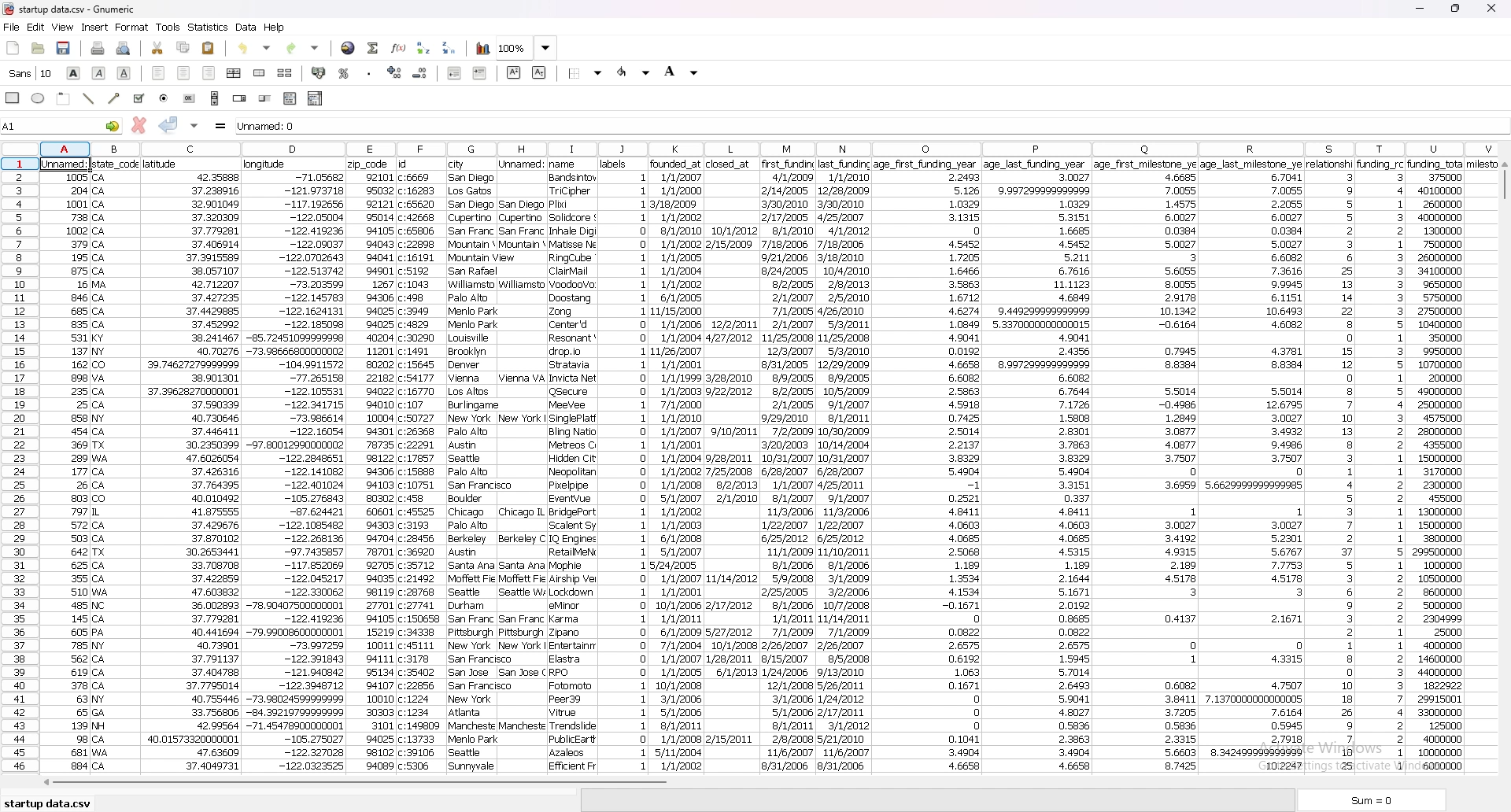 The image size is (1511, 812). What do you see at coordinates (65, 99) in the screenshot?
I see `rectangle` at bounding box center [65, 99].